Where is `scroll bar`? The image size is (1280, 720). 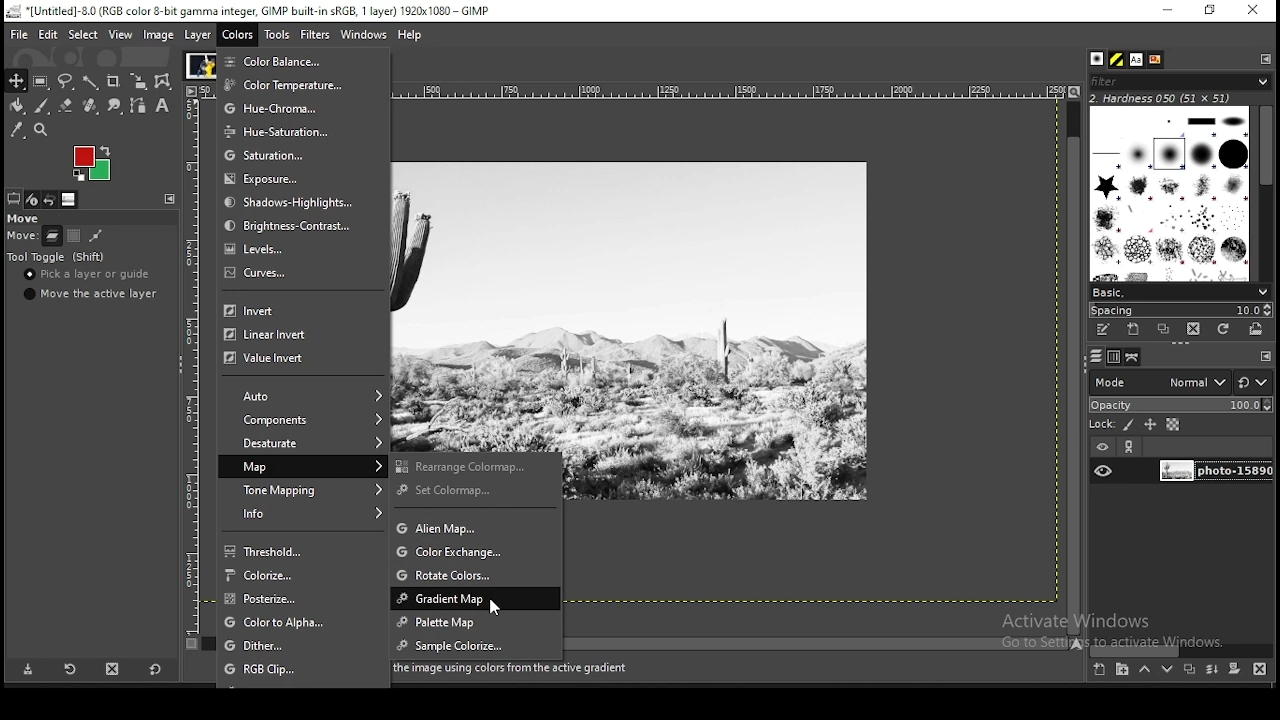 scroll bar is located at coordinates (1181, 650).